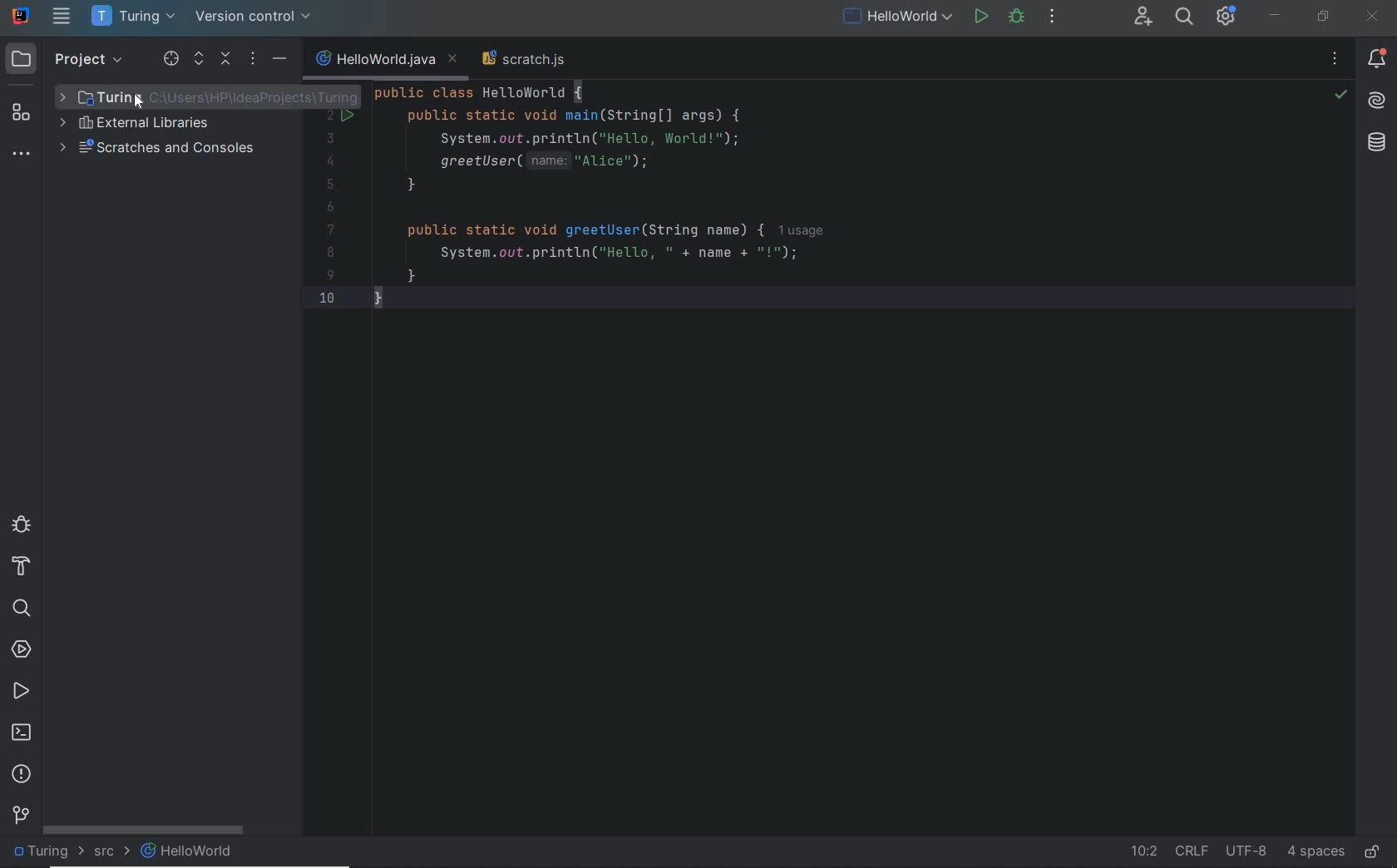  What do you see at coordinates (1324, 16) in the screenshot?
I see `RESTORE DOWN` at bounding box center [1324, 16].